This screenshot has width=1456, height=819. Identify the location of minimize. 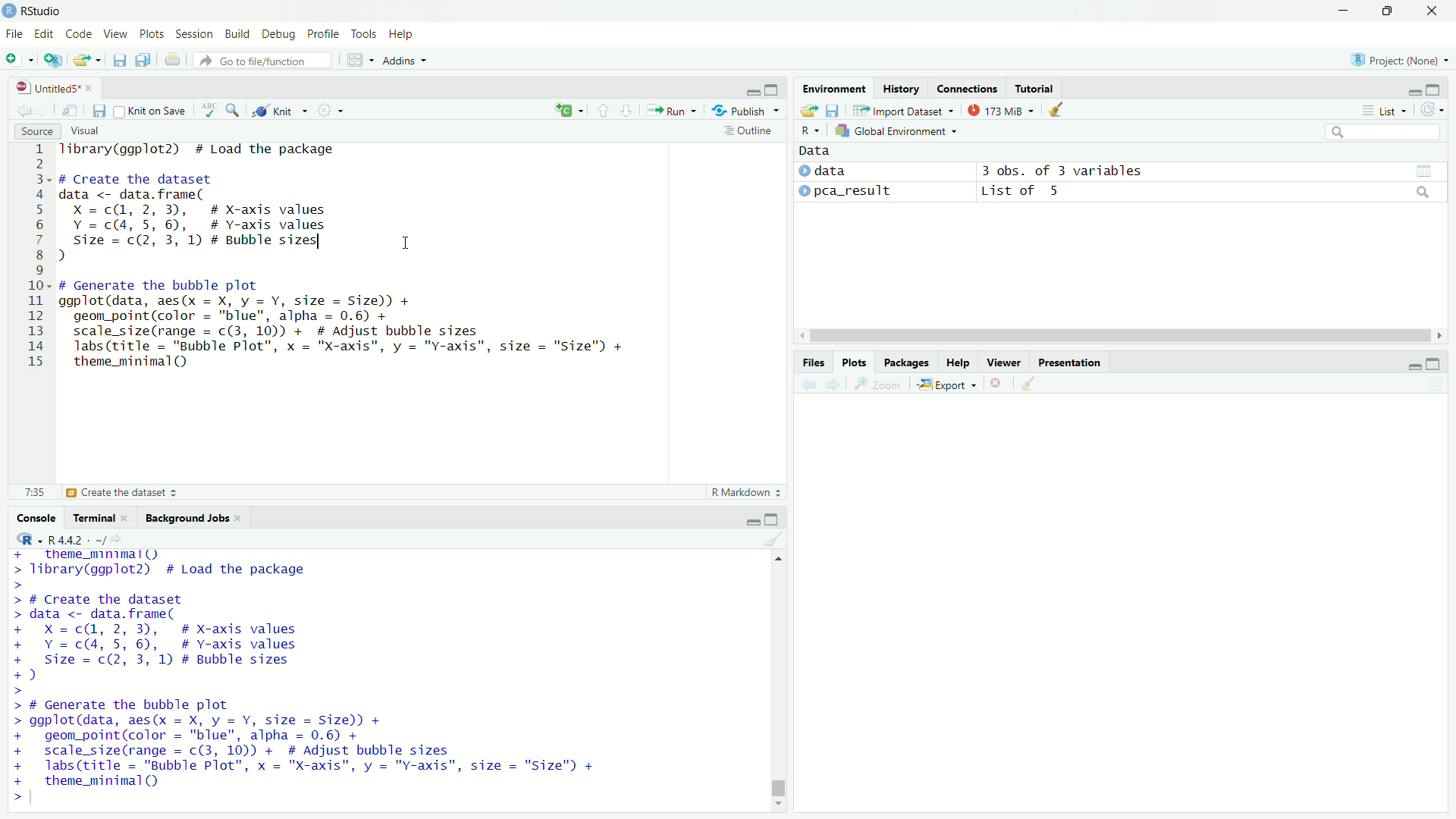
(752, 88).